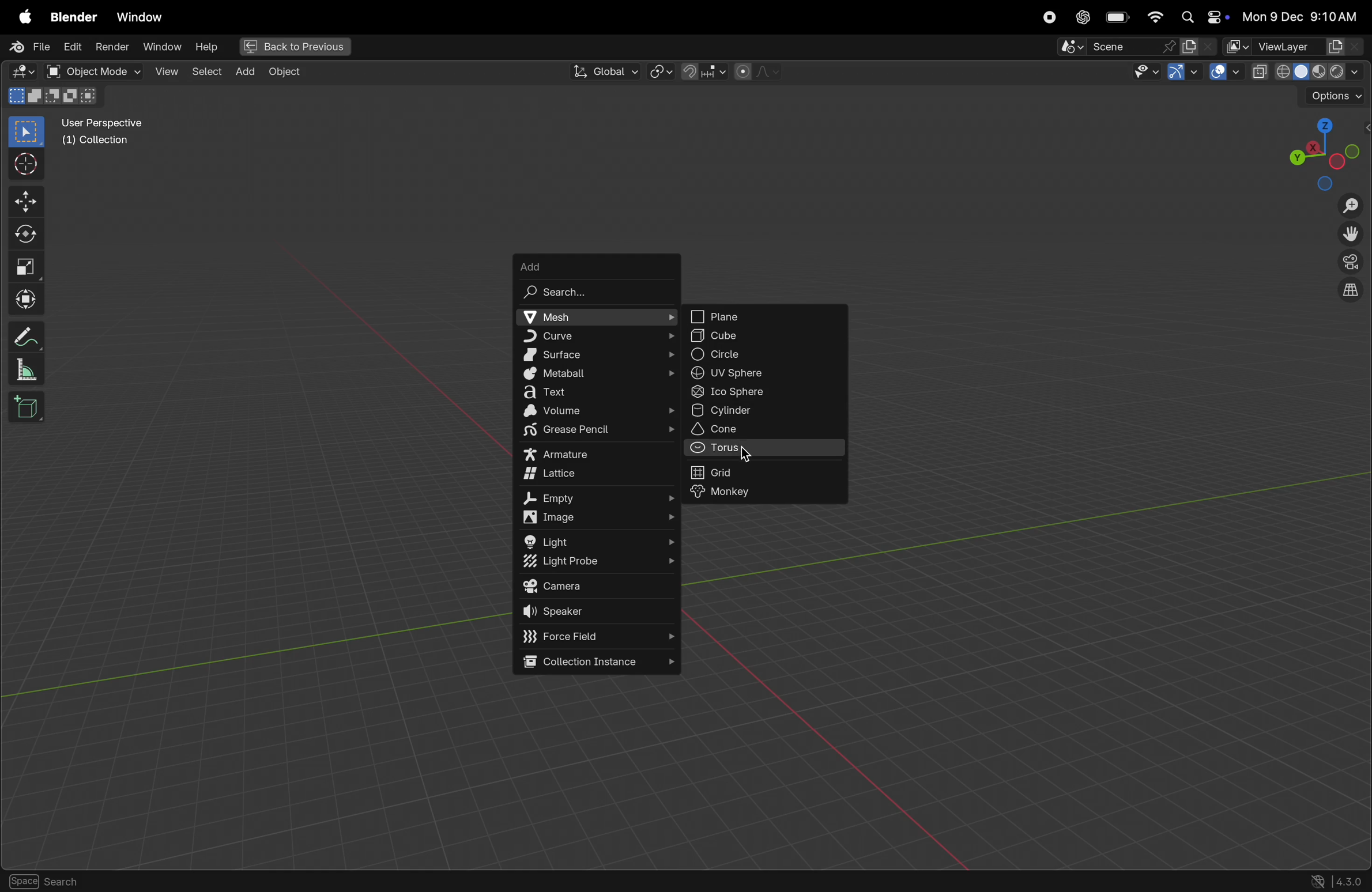 The image size is (1372, 892). I want to click on plane, so click(764, 317).